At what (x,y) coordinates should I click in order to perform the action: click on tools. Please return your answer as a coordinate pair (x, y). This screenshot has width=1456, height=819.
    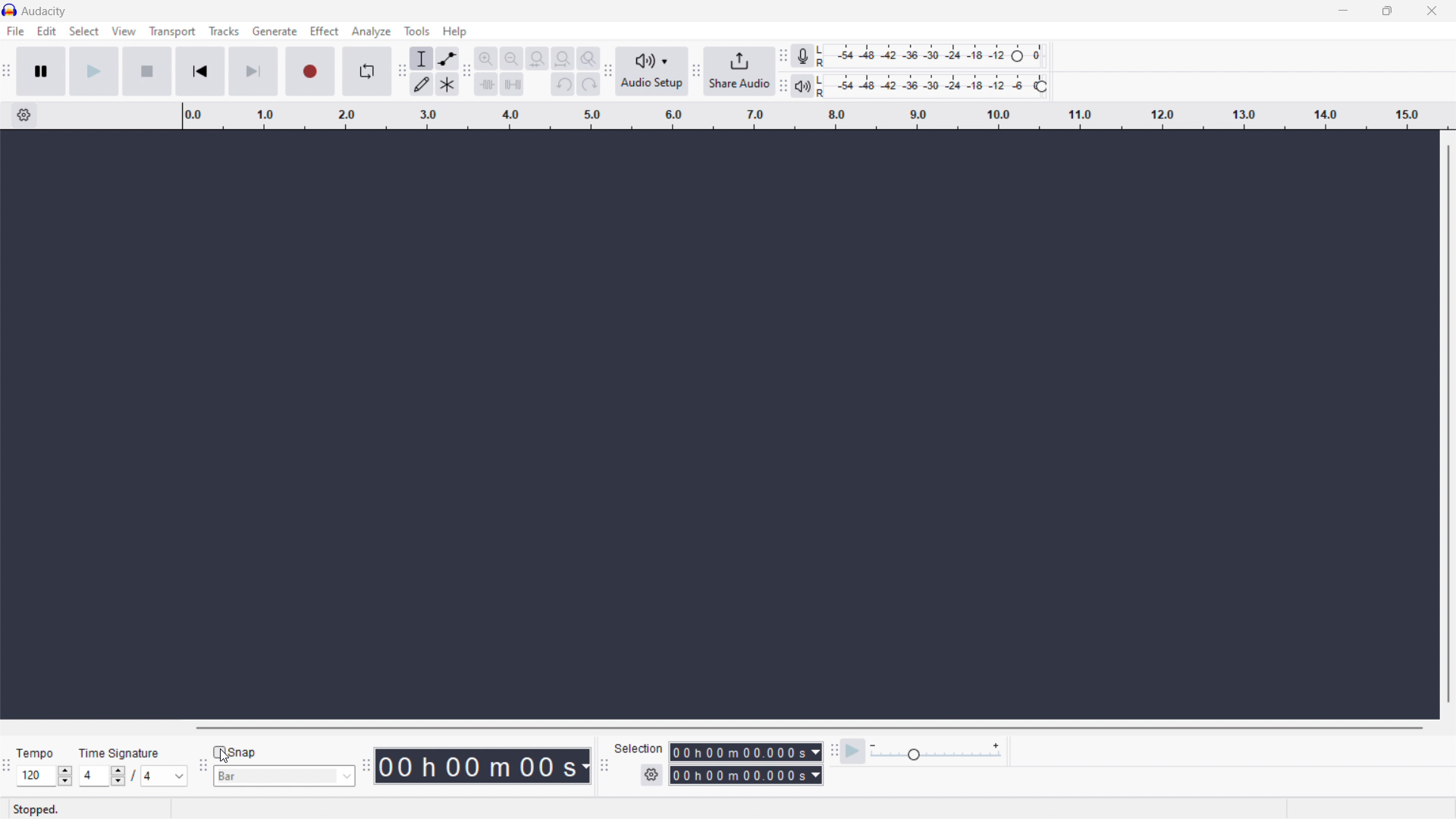
    Looking at the image, I should click on (417, 30).